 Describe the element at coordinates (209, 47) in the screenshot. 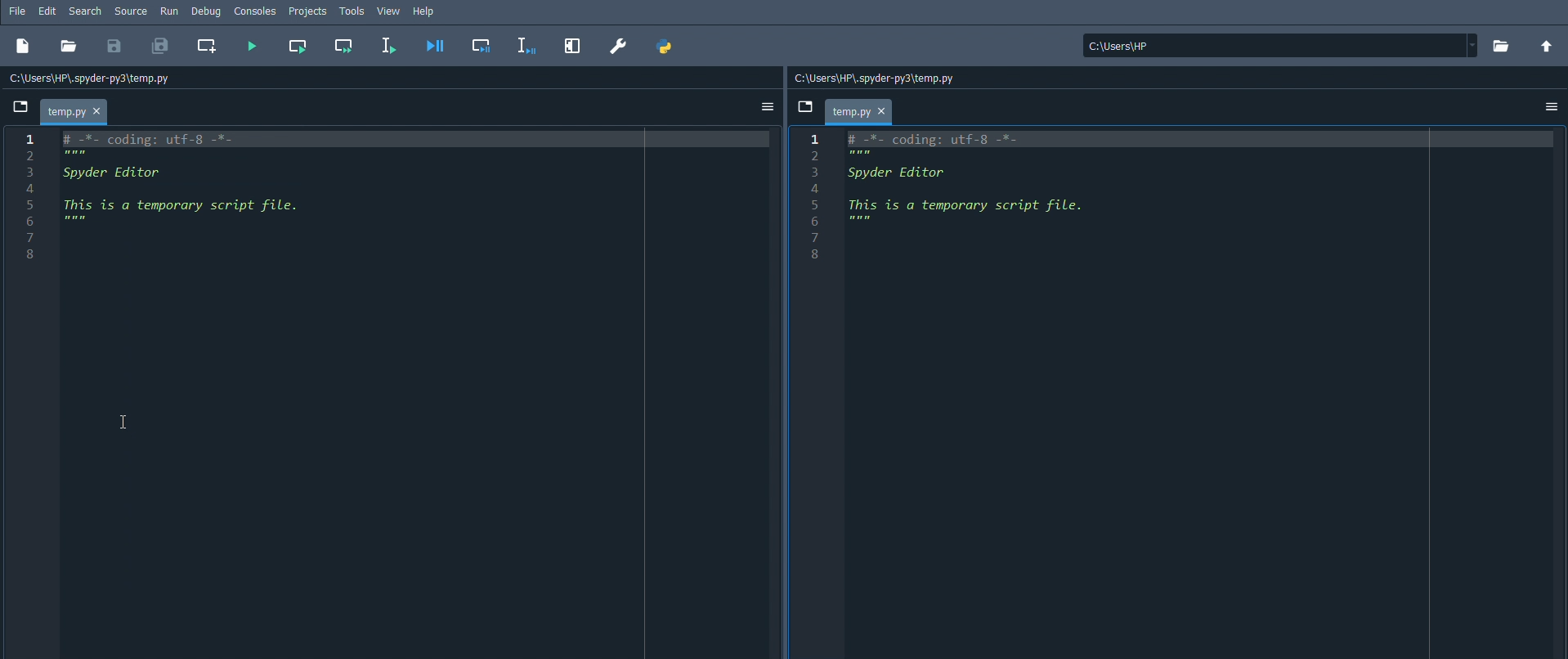

I see `Create new cell at the current line` at that location.